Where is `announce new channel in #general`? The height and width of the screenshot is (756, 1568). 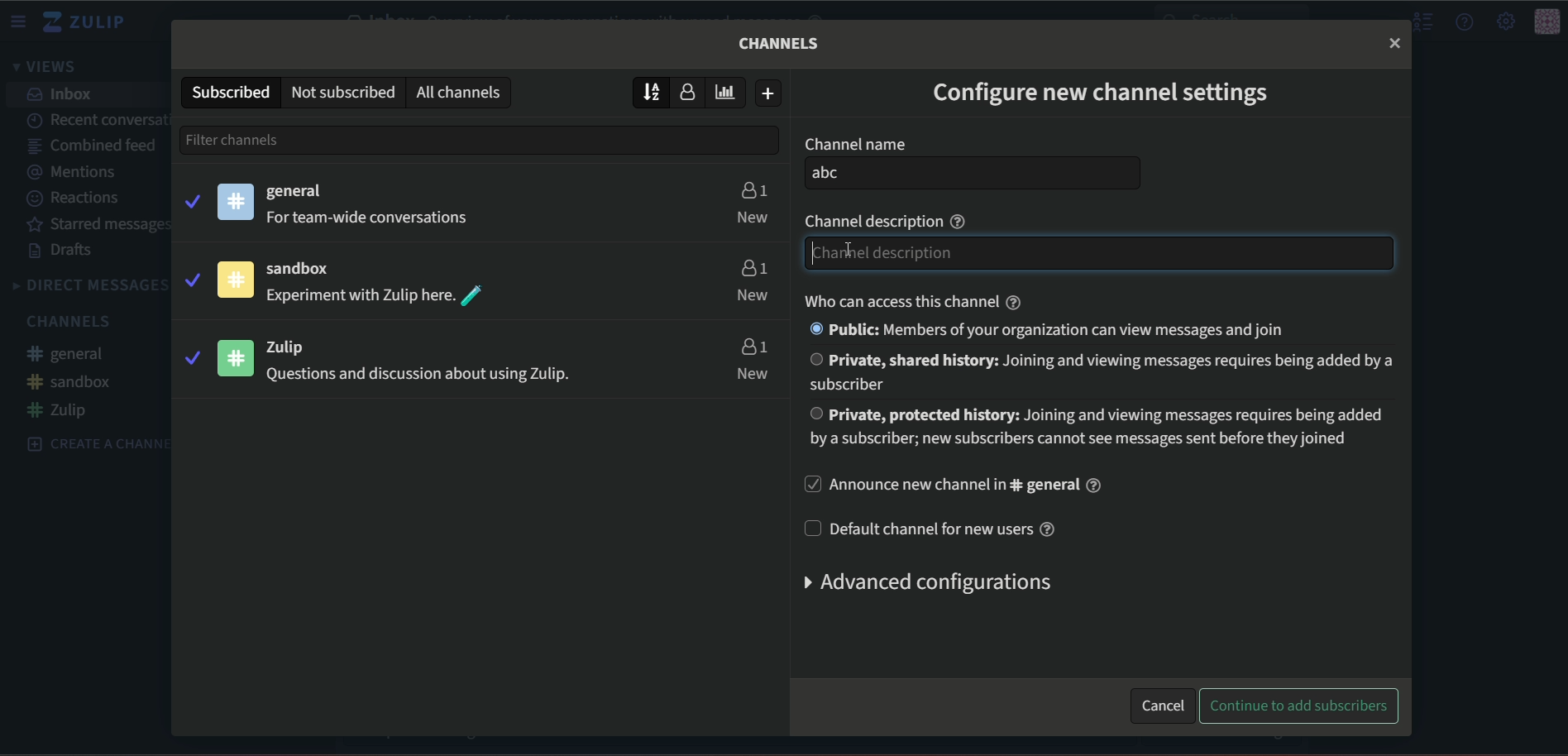 announce new channel in #general is located at coordinates (957, 486).